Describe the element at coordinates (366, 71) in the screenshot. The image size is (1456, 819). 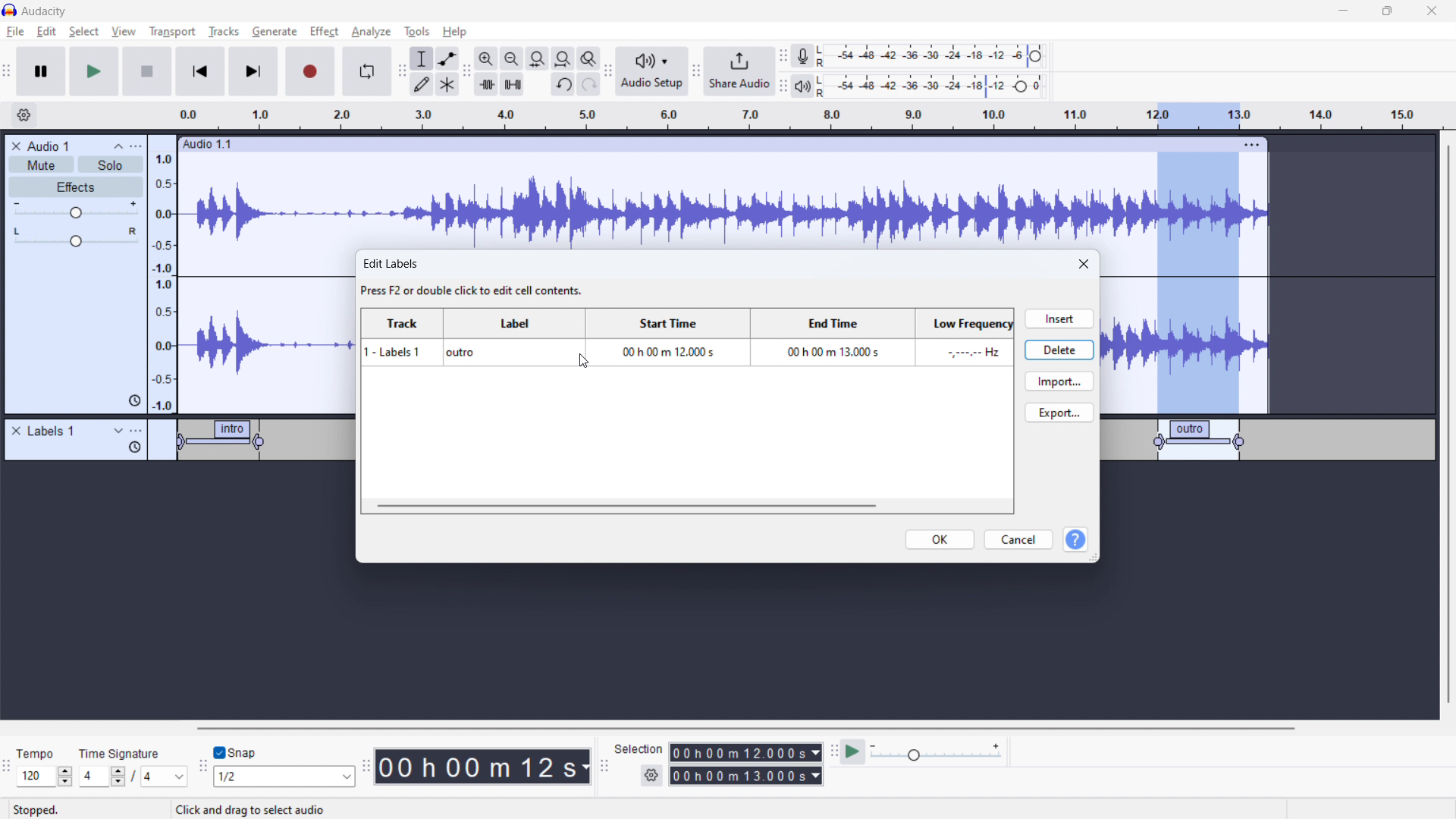
I see `enable loop` at that location.